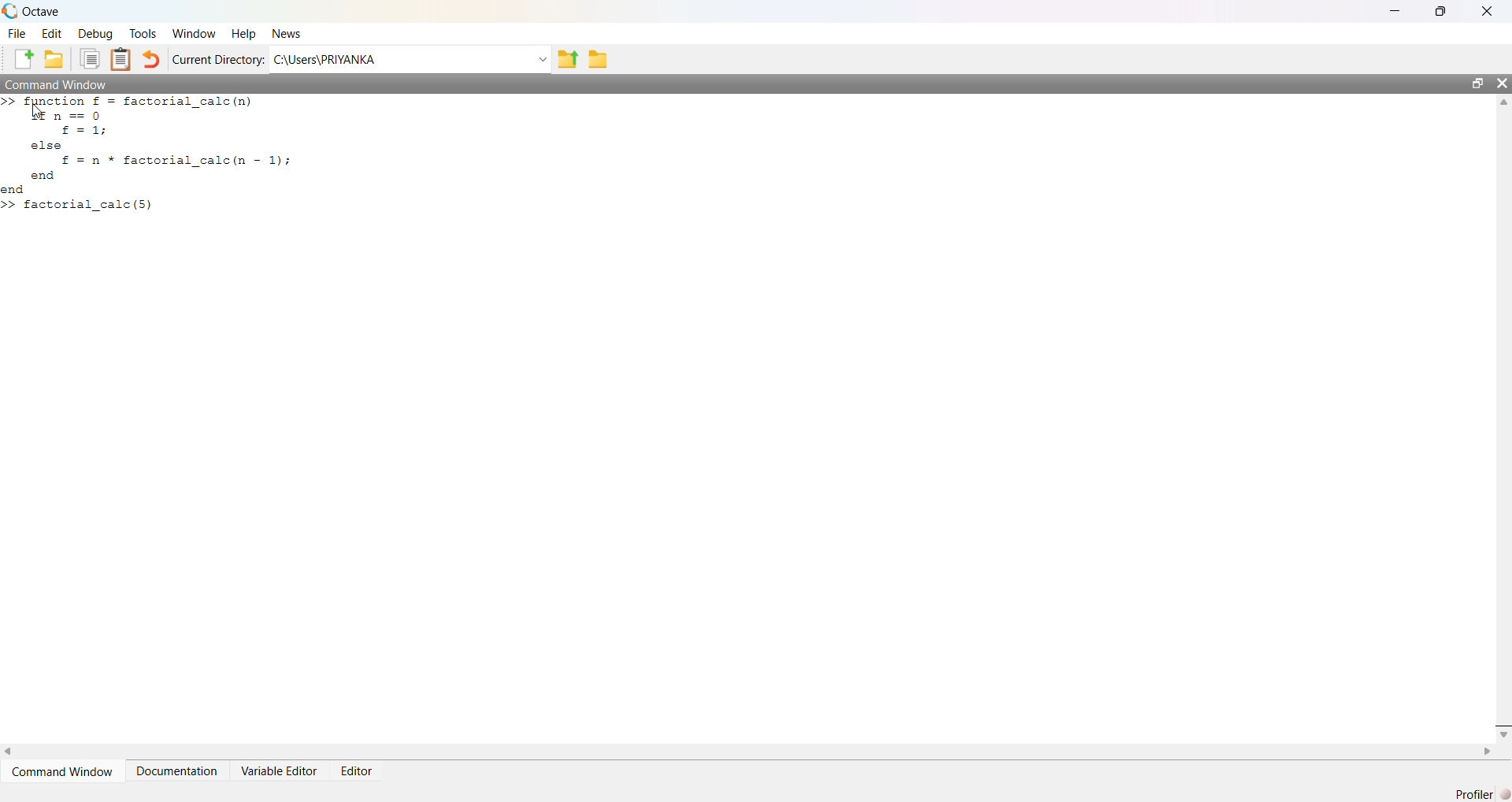  I want to click on logo, so click(11, 12).